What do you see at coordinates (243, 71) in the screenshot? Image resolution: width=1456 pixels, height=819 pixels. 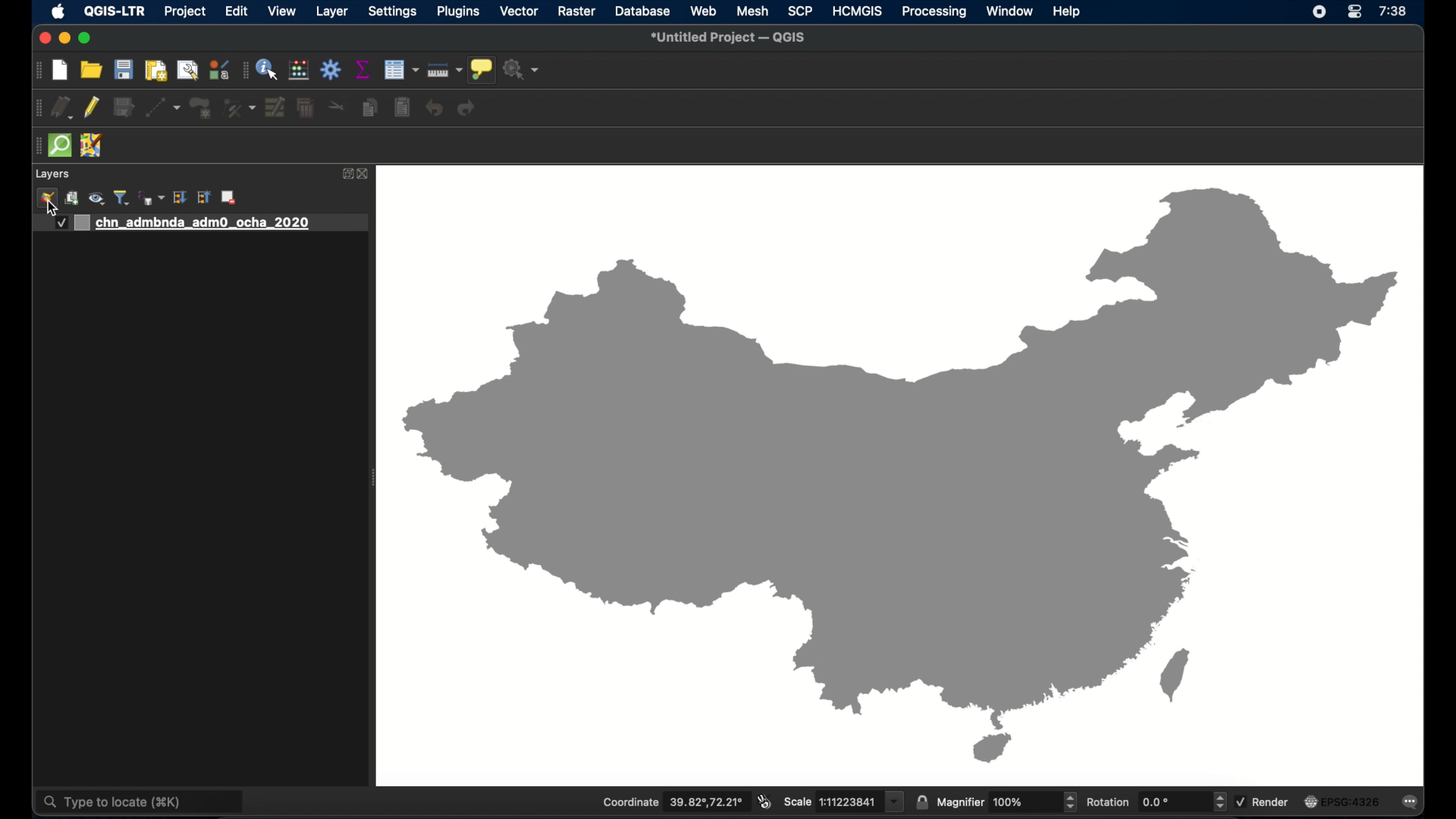 I see `drag handle` at bounding box center [243, 71].